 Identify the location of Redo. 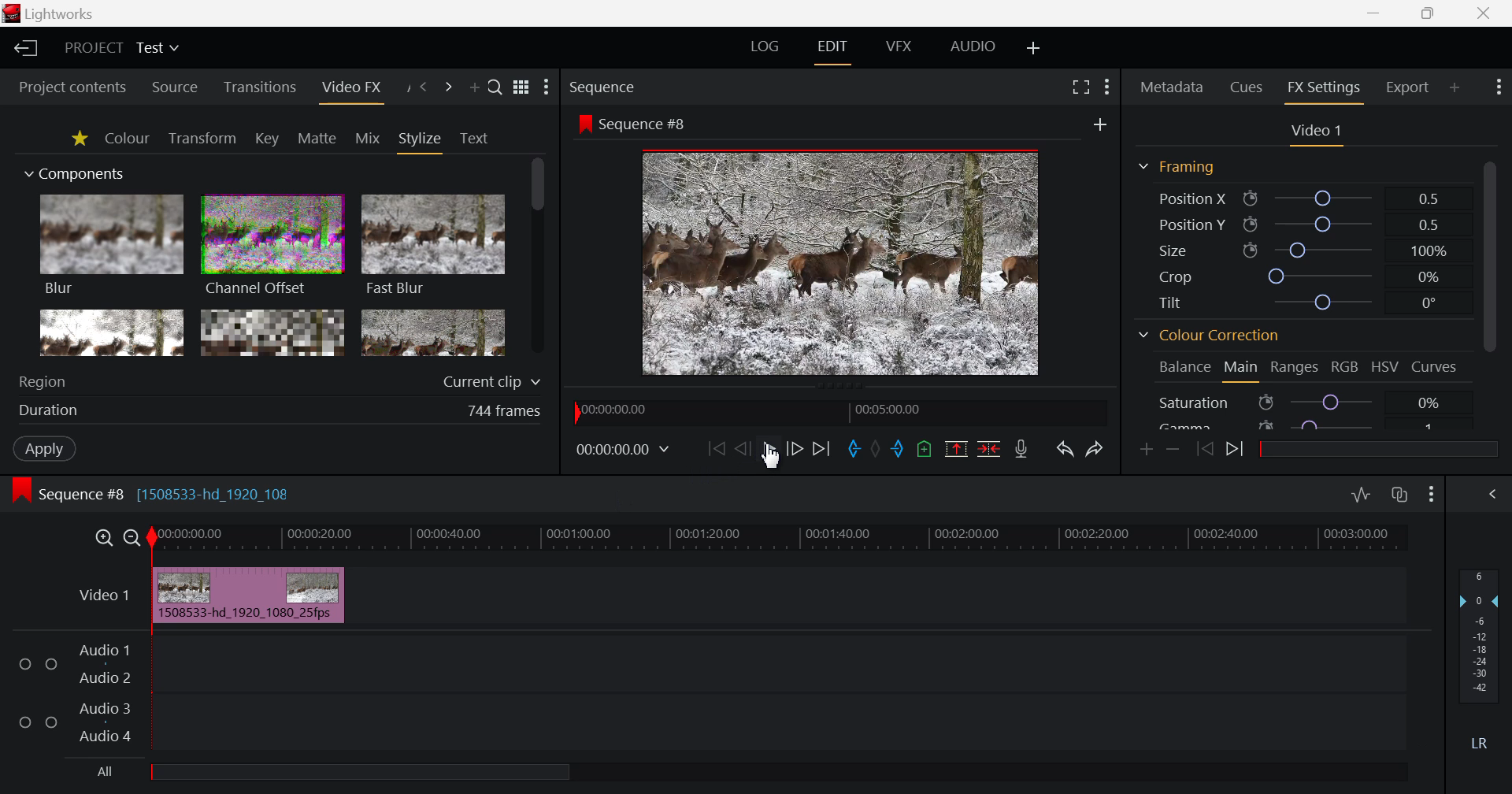
(1093, 451).